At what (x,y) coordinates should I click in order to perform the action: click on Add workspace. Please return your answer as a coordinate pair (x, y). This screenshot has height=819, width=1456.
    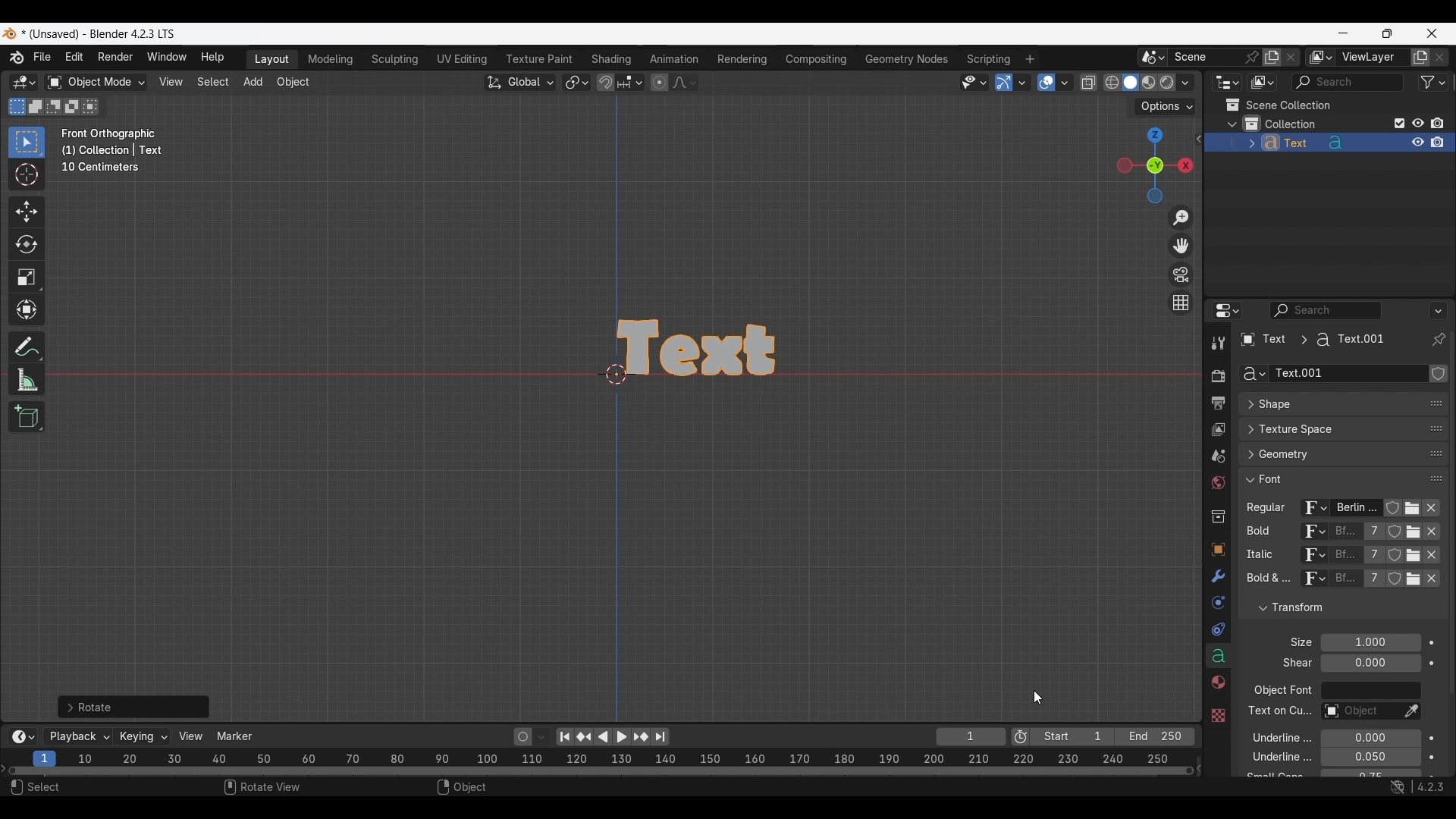
    Looking at the image, I should click on (1029, 59).